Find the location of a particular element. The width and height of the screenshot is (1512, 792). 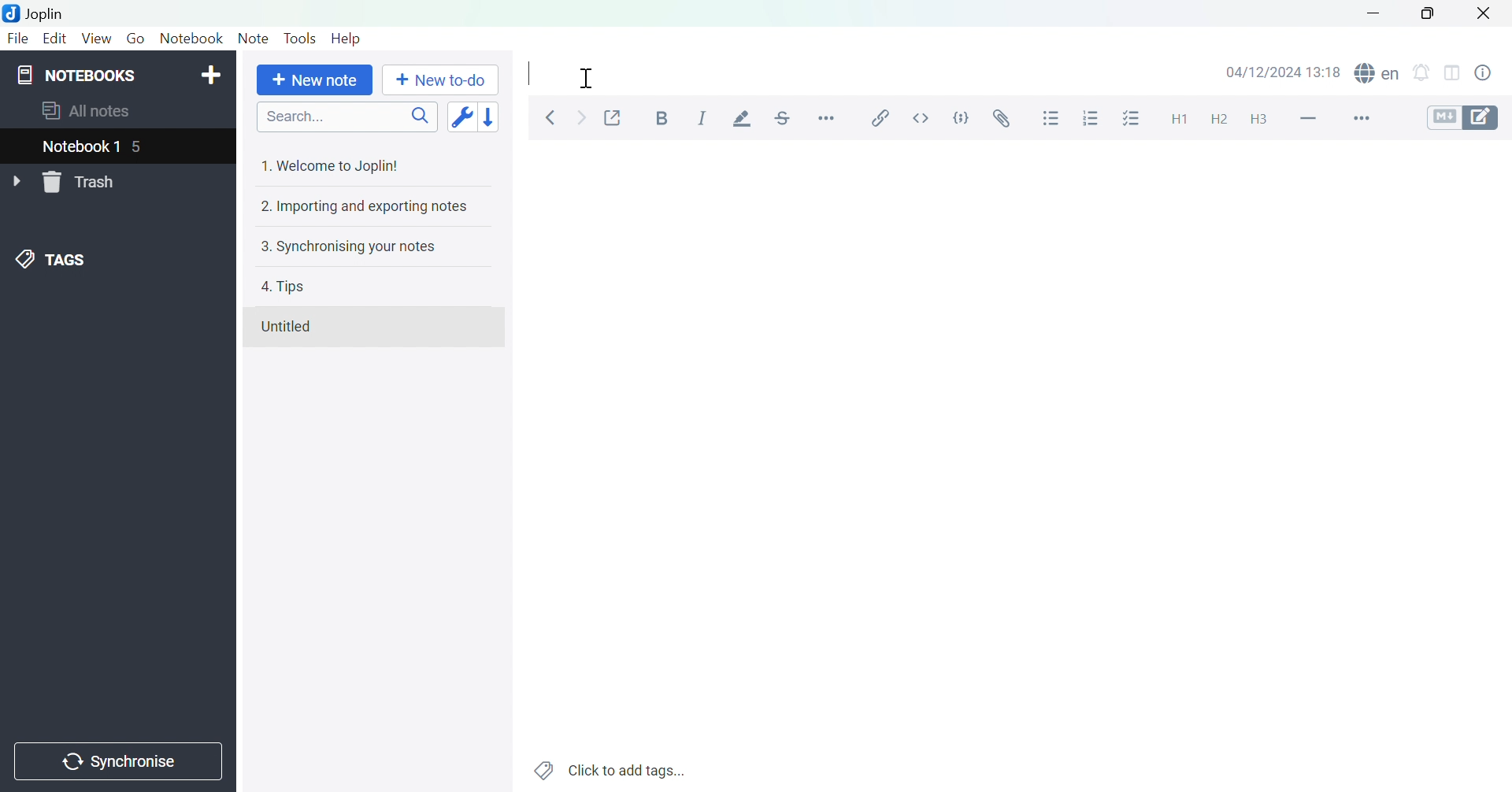

Attach file is located at coordinates (999, 119).